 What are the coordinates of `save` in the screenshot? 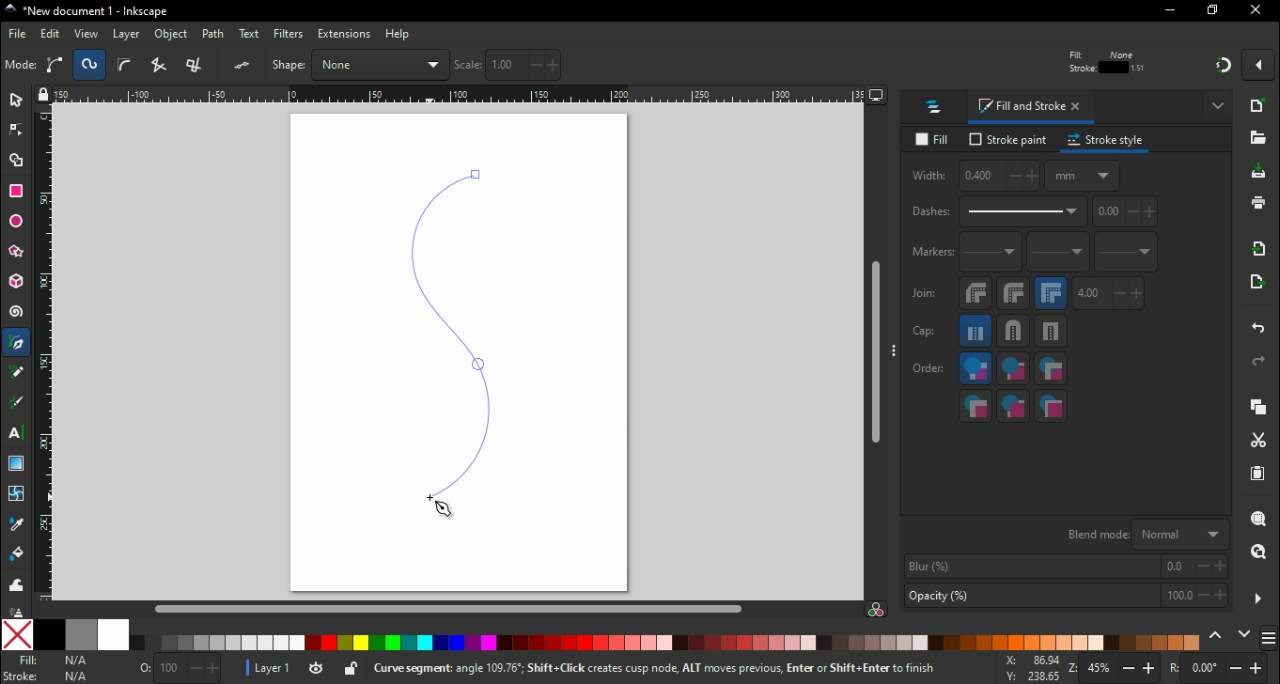 It's located at (1259, 176).